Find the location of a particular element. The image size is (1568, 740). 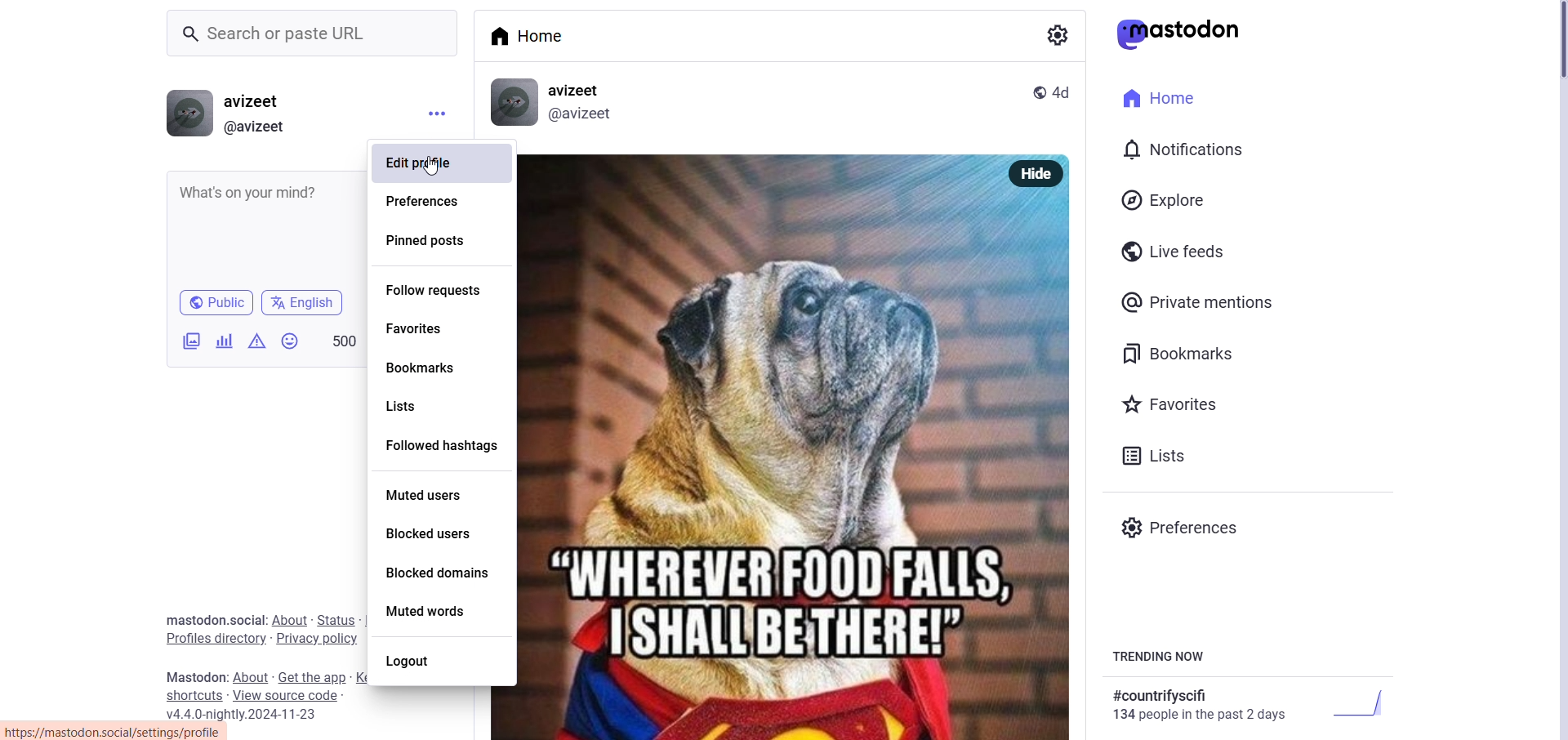

favourites is located at coordinates (421, 327).